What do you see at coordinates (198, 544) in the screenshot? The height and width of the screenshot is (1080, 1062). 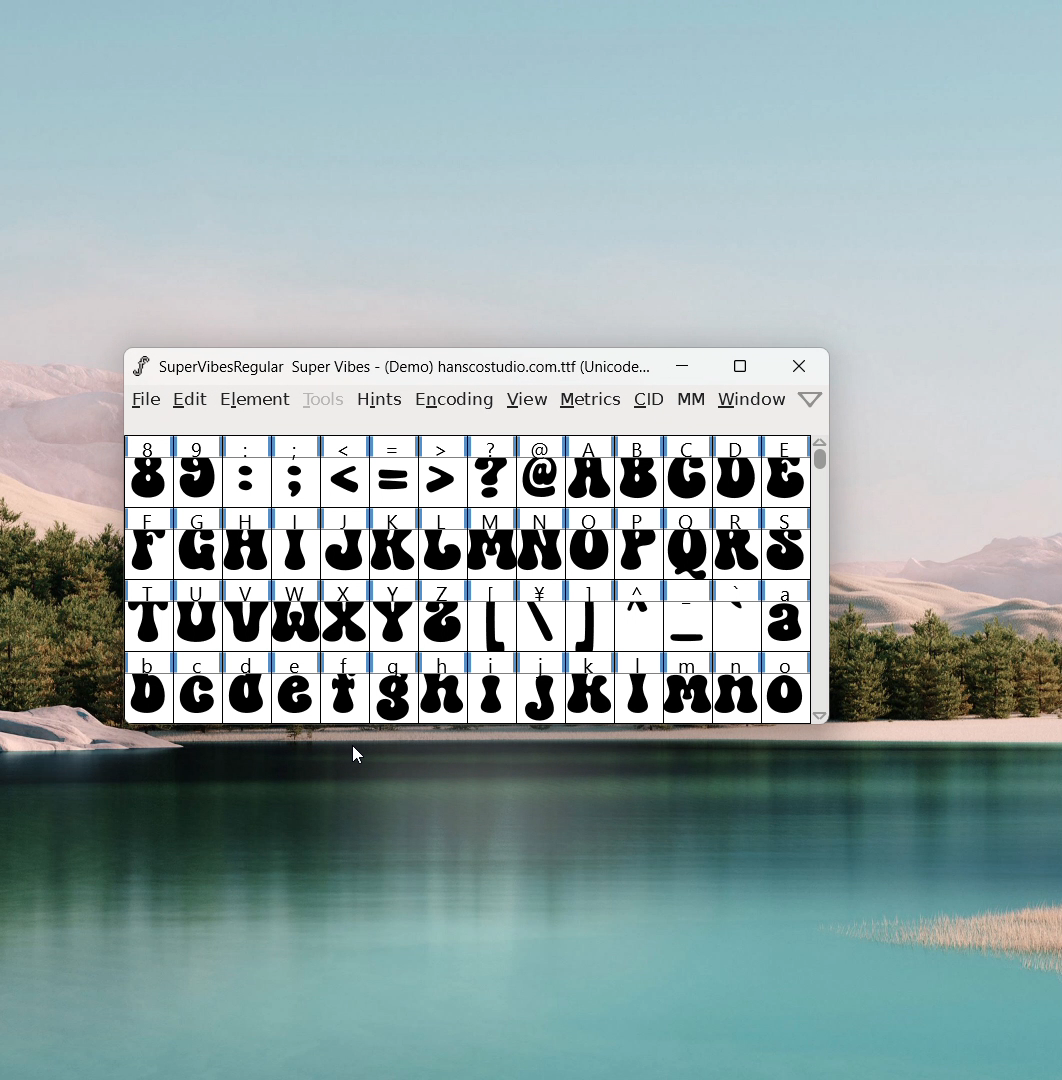 I see `G` at bounding box center [198, 544].